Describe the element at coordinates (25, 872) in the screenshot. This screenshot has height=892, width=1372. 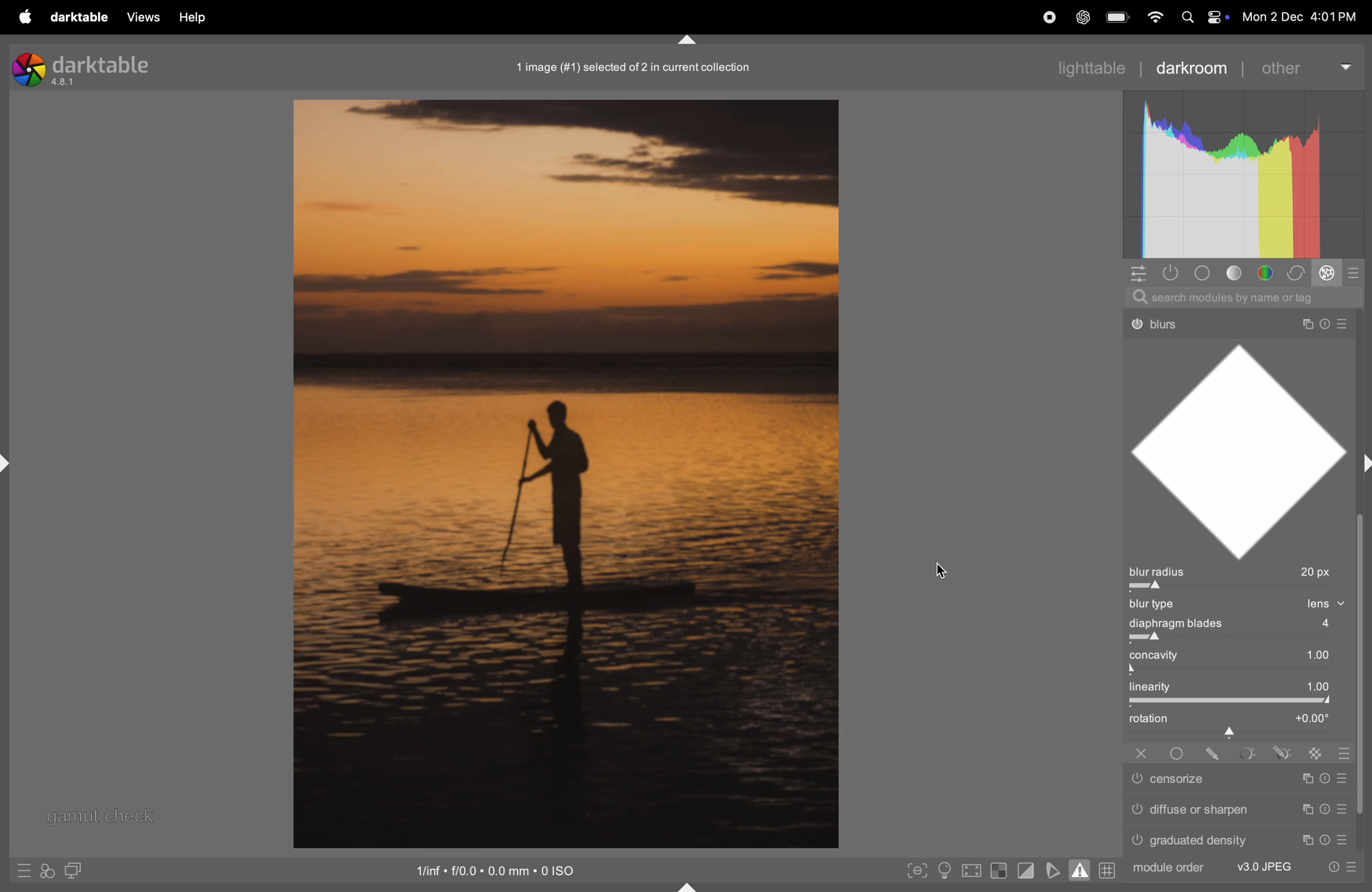
I see `quick access to presets` at that location.